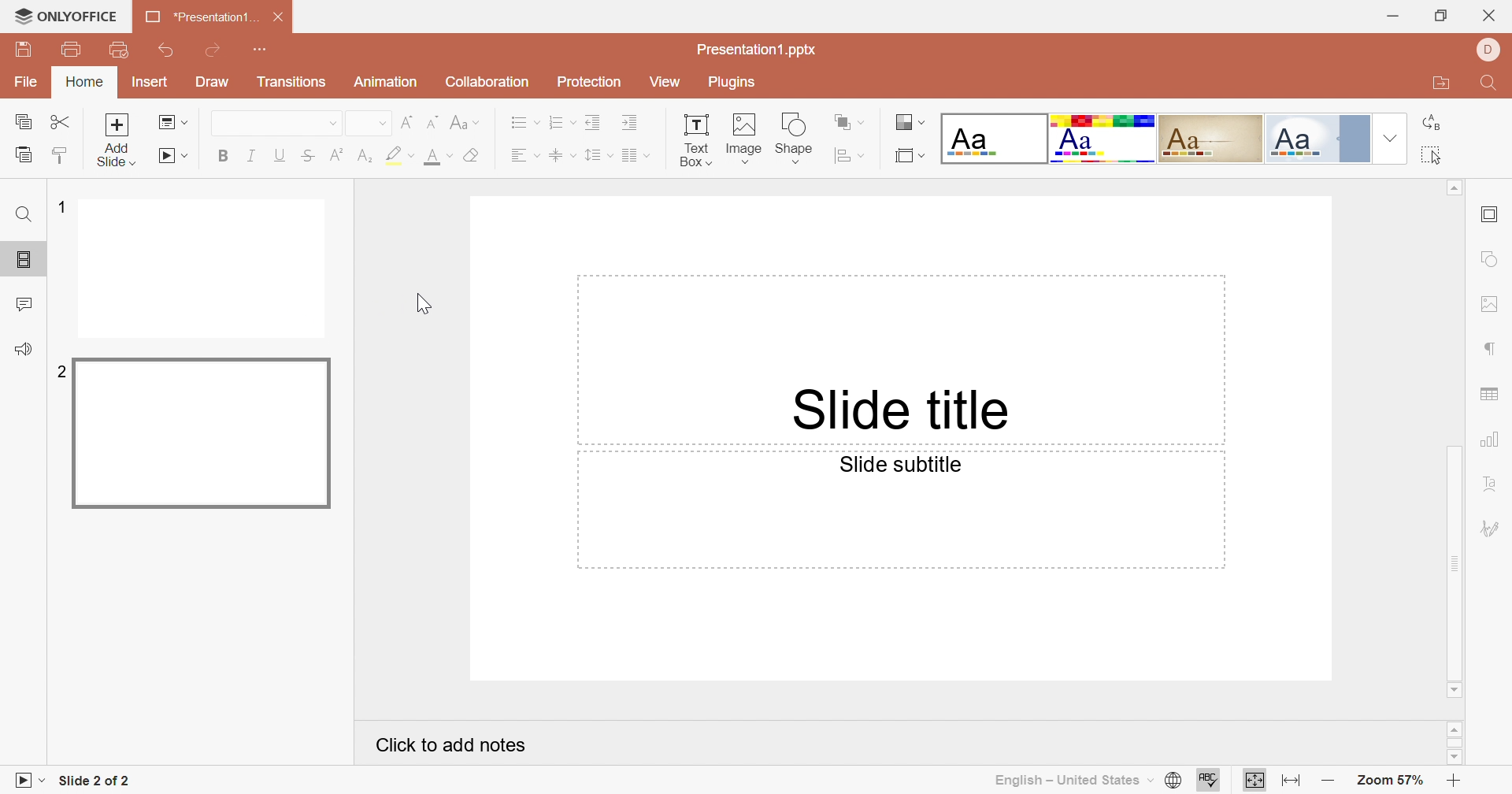  What do you see at coordinates (1389, 781) in the screenshot?
I see `Zoom 57%` at bounding box center [1389, 781].